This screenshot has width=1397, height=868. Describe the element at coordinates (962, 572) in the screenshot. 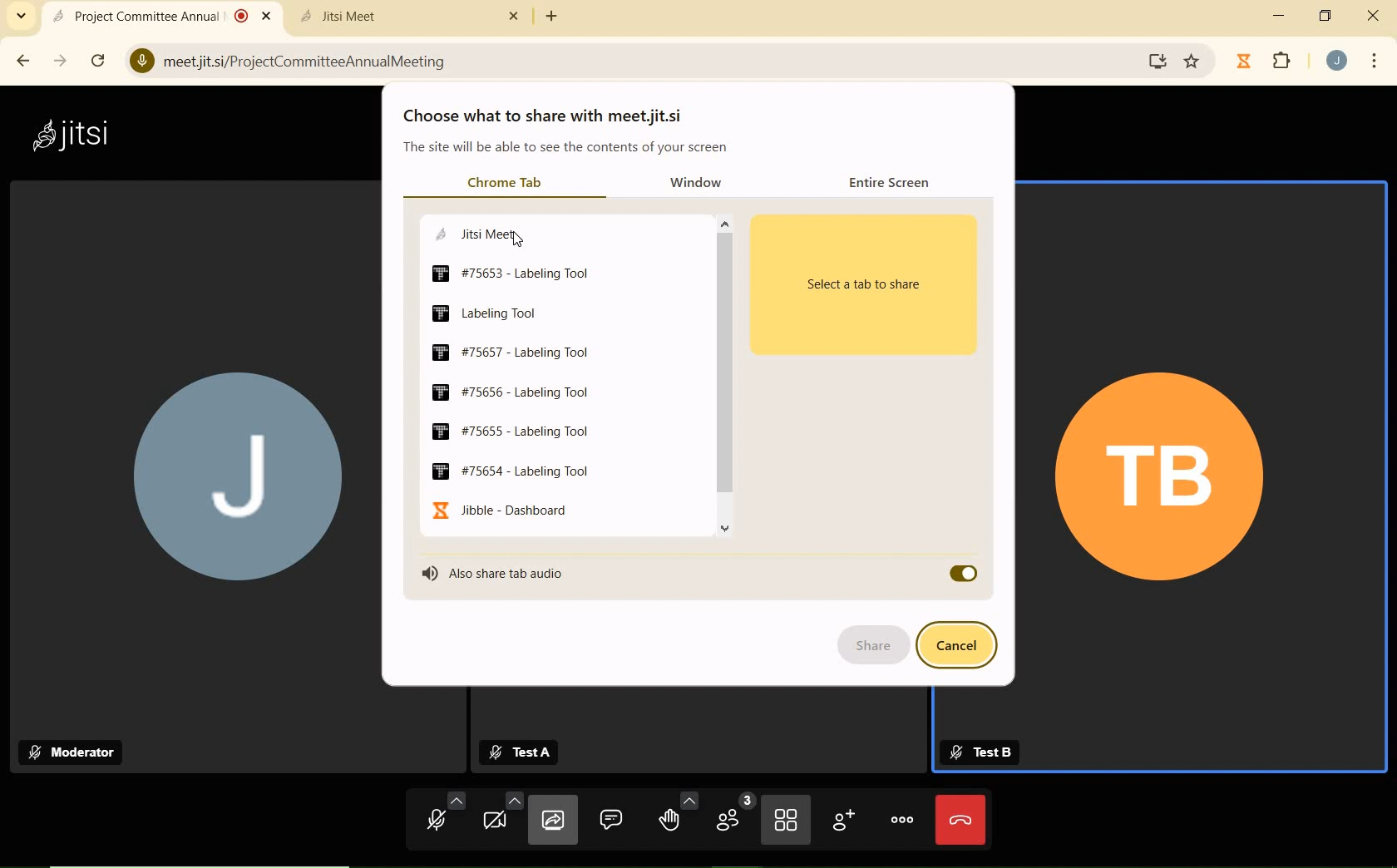

I see `toggle` at that location.